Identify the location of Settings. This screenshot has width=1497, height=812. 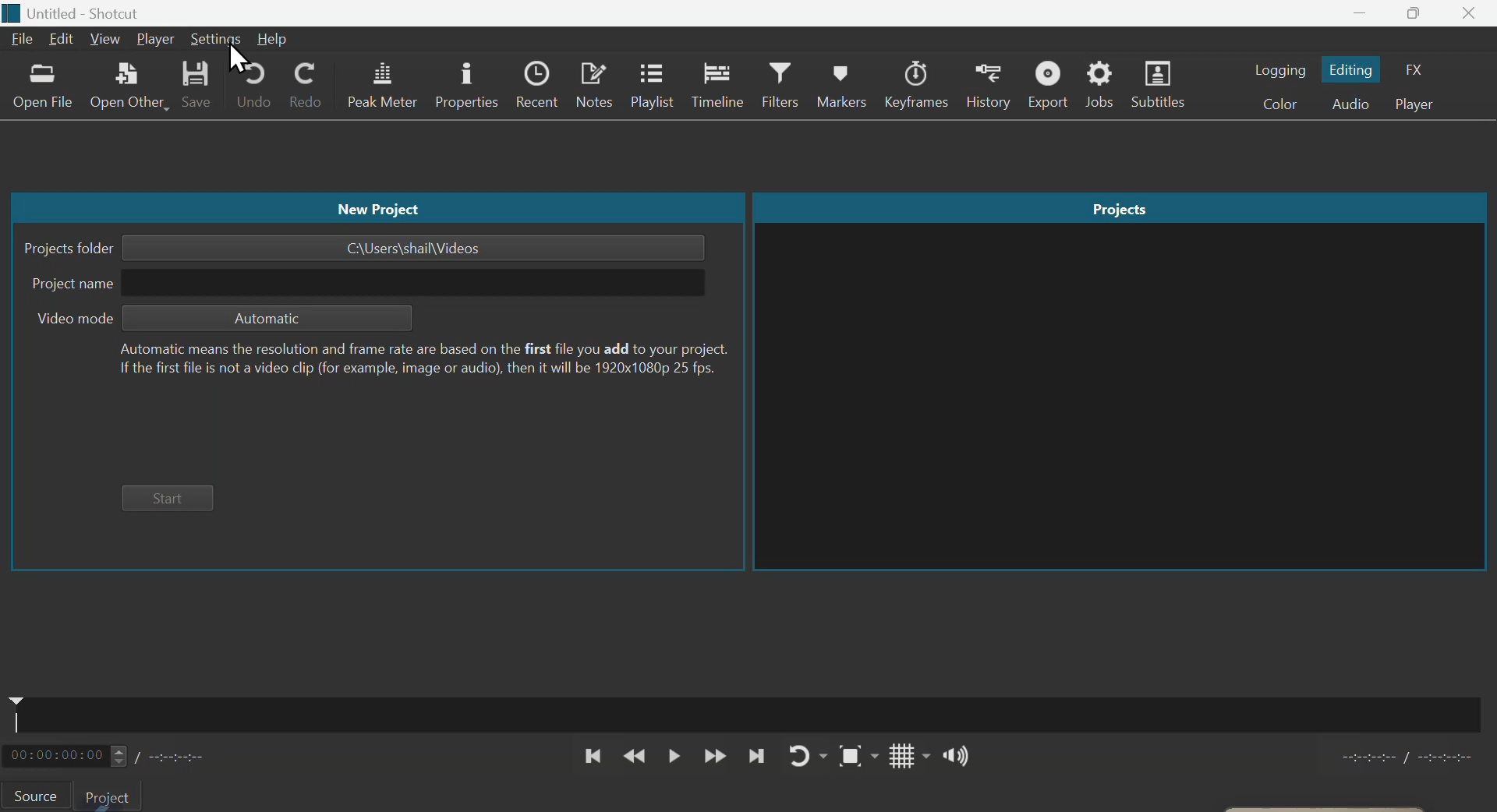
(214, 38).